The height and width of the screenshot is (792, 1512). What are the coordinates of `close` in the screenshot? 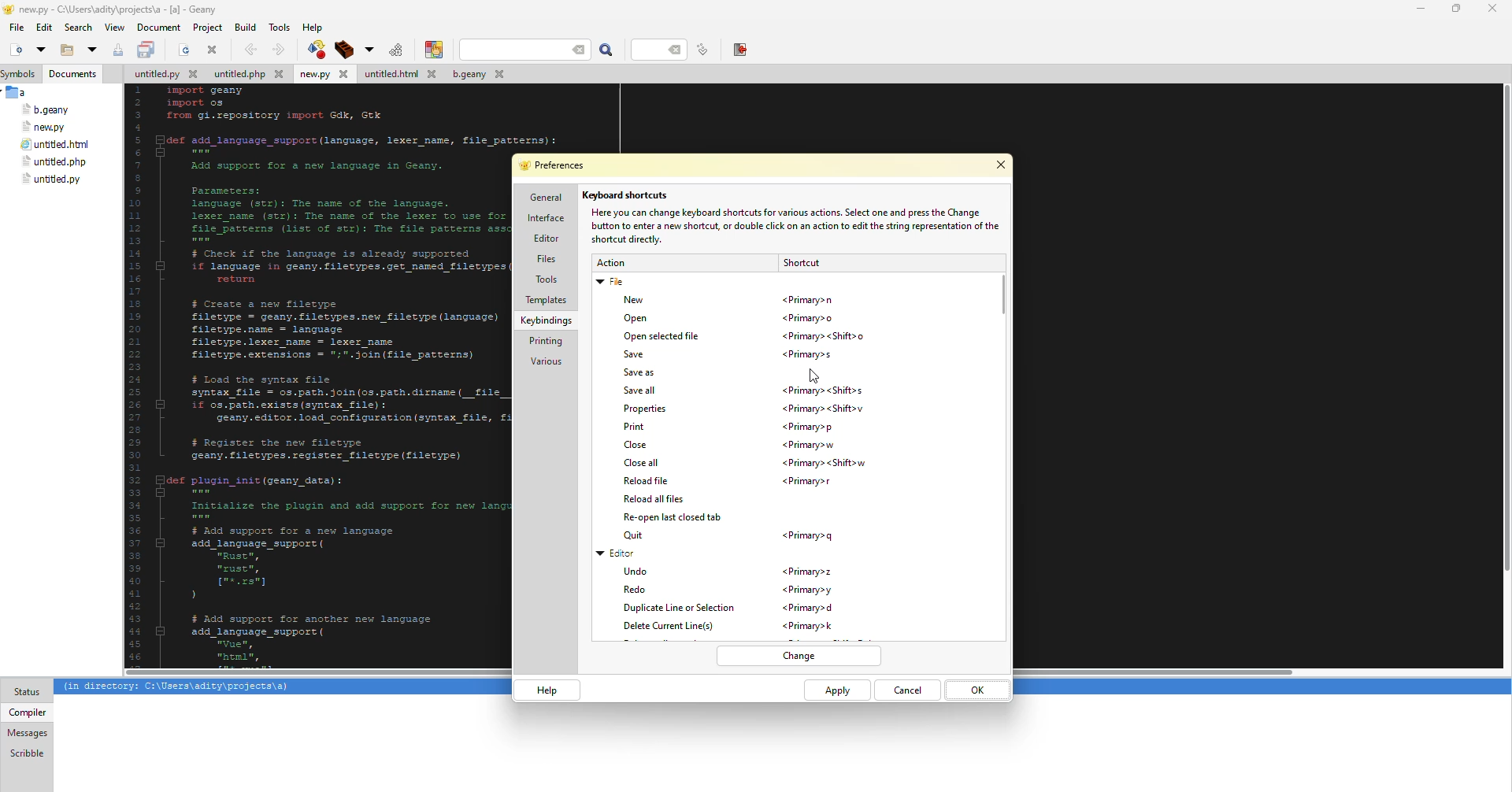 It's located at (636, 445).